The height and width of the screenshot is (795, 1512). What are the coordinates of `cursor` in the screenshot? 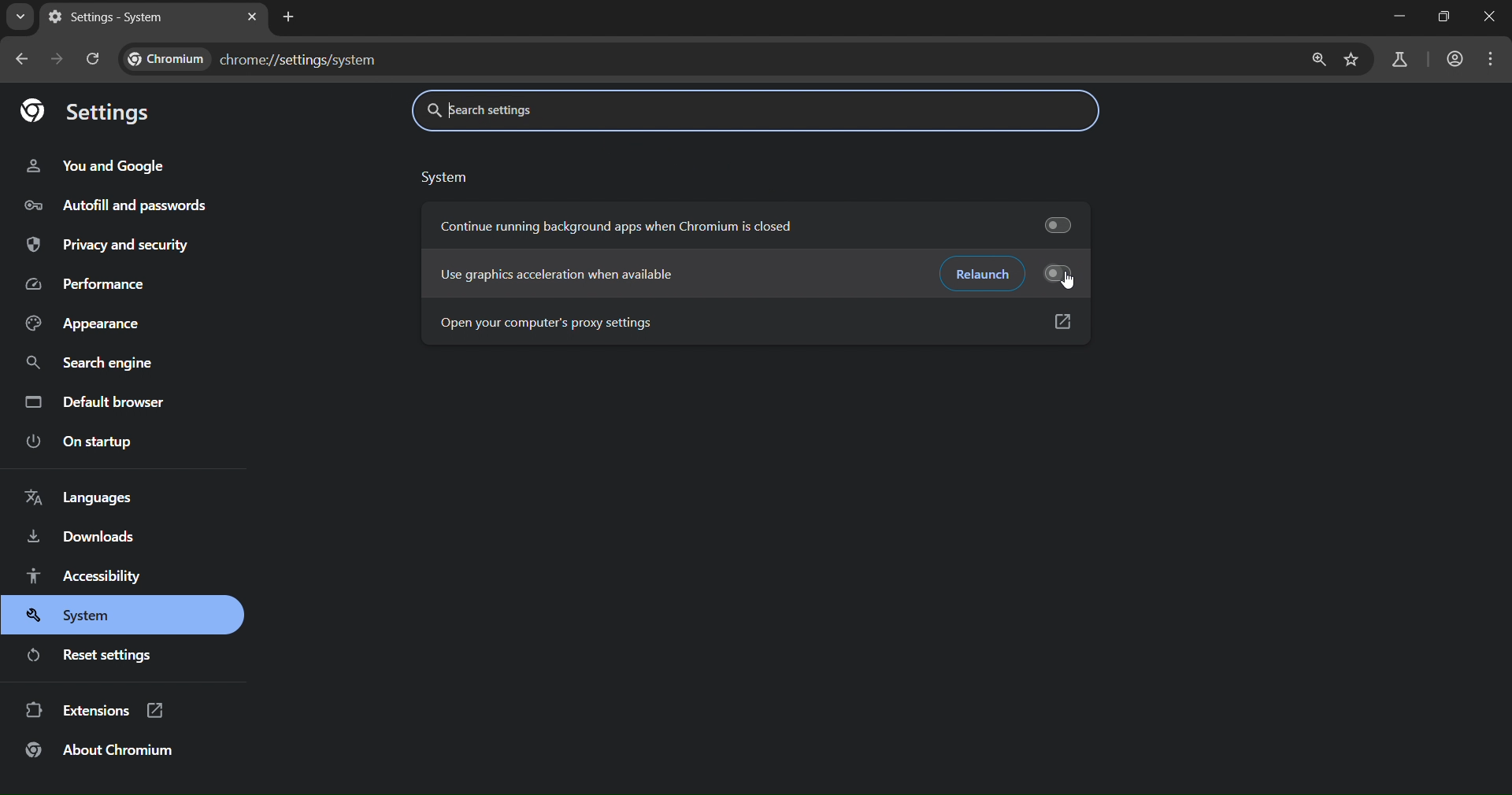 It's located at (1072, 282).